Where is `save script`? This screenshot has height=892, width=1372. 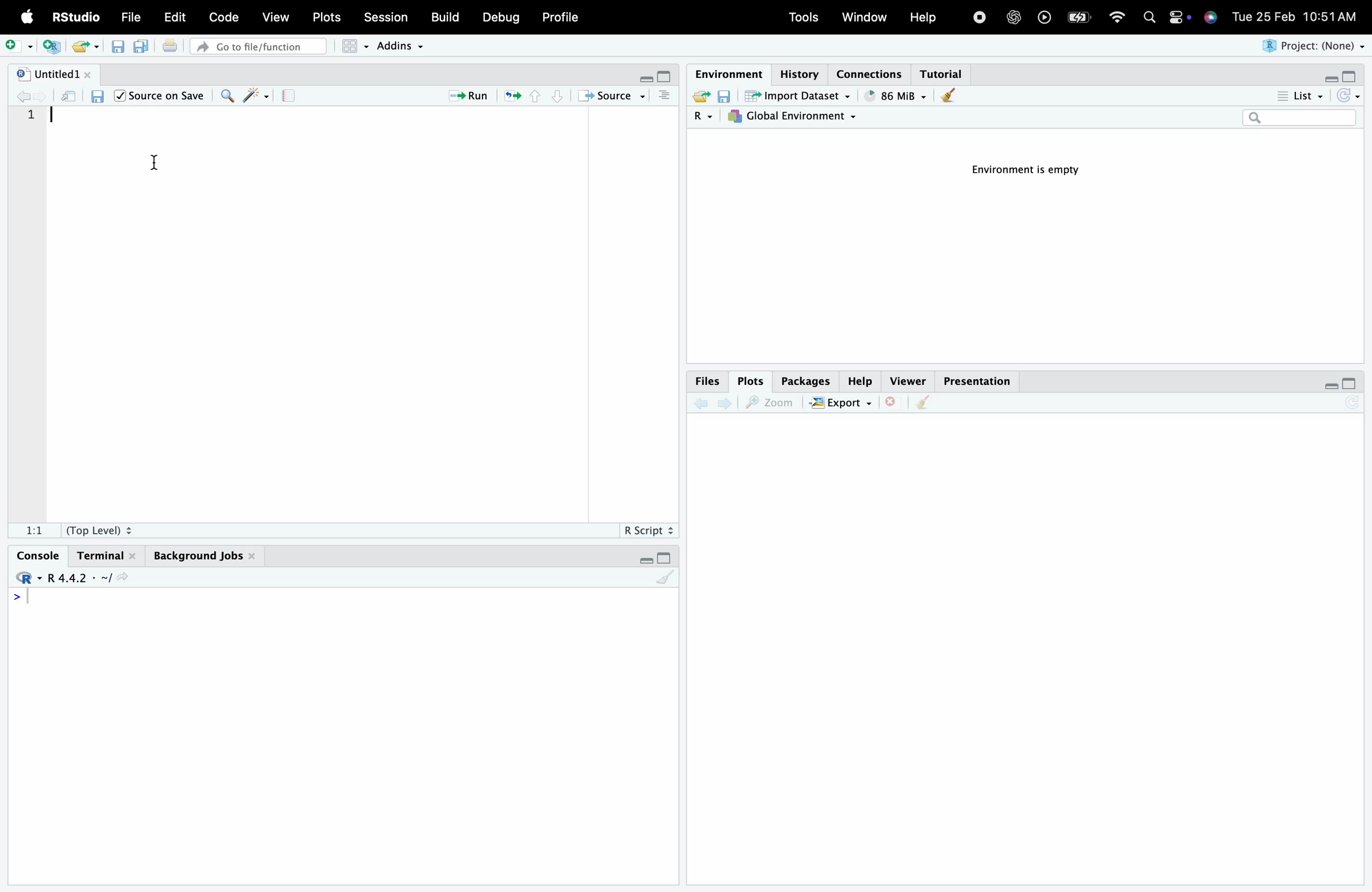 save script is located at coordinates (120, 52).